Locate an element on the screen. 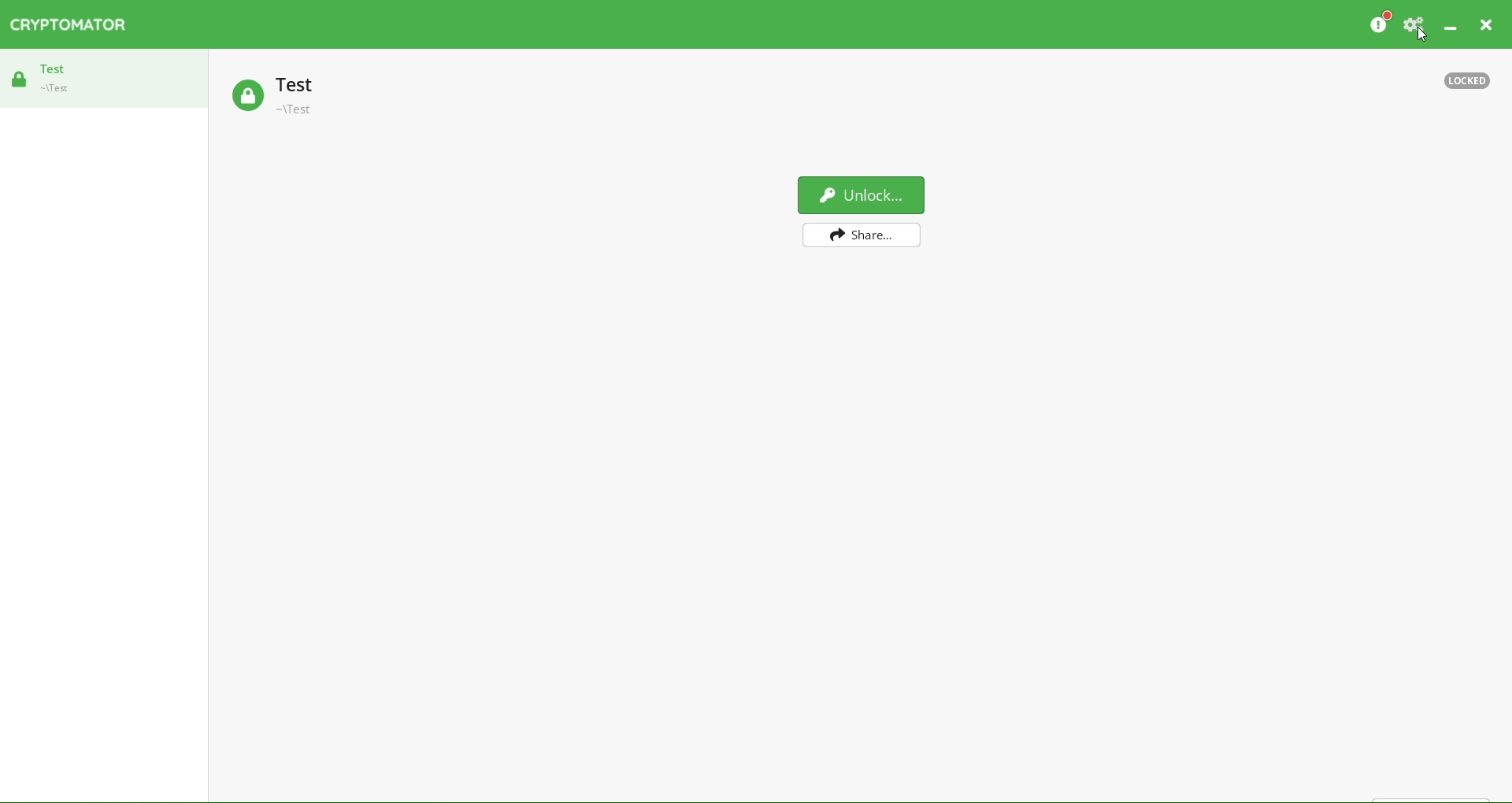 The height and width of the screenshot is (803, 1512). Share is located at coordinates (860, 235).